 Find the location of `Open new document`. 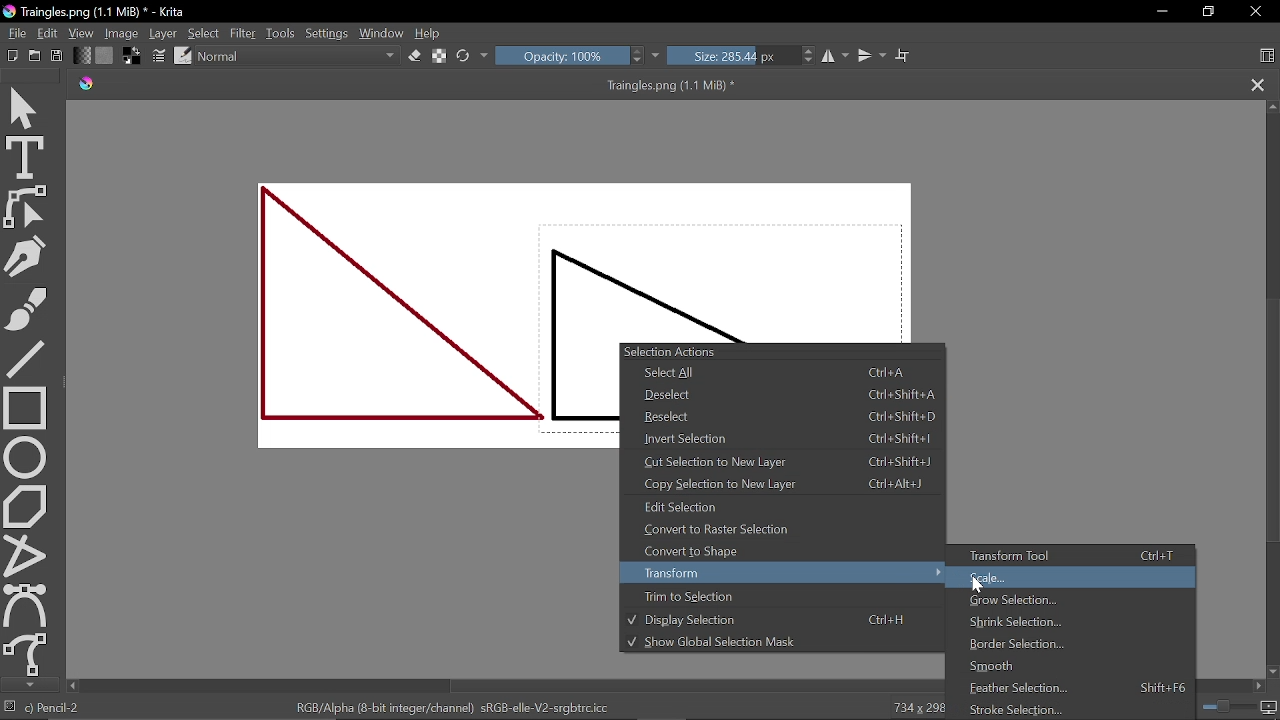

Open new document is located at coordinates (13, 56).